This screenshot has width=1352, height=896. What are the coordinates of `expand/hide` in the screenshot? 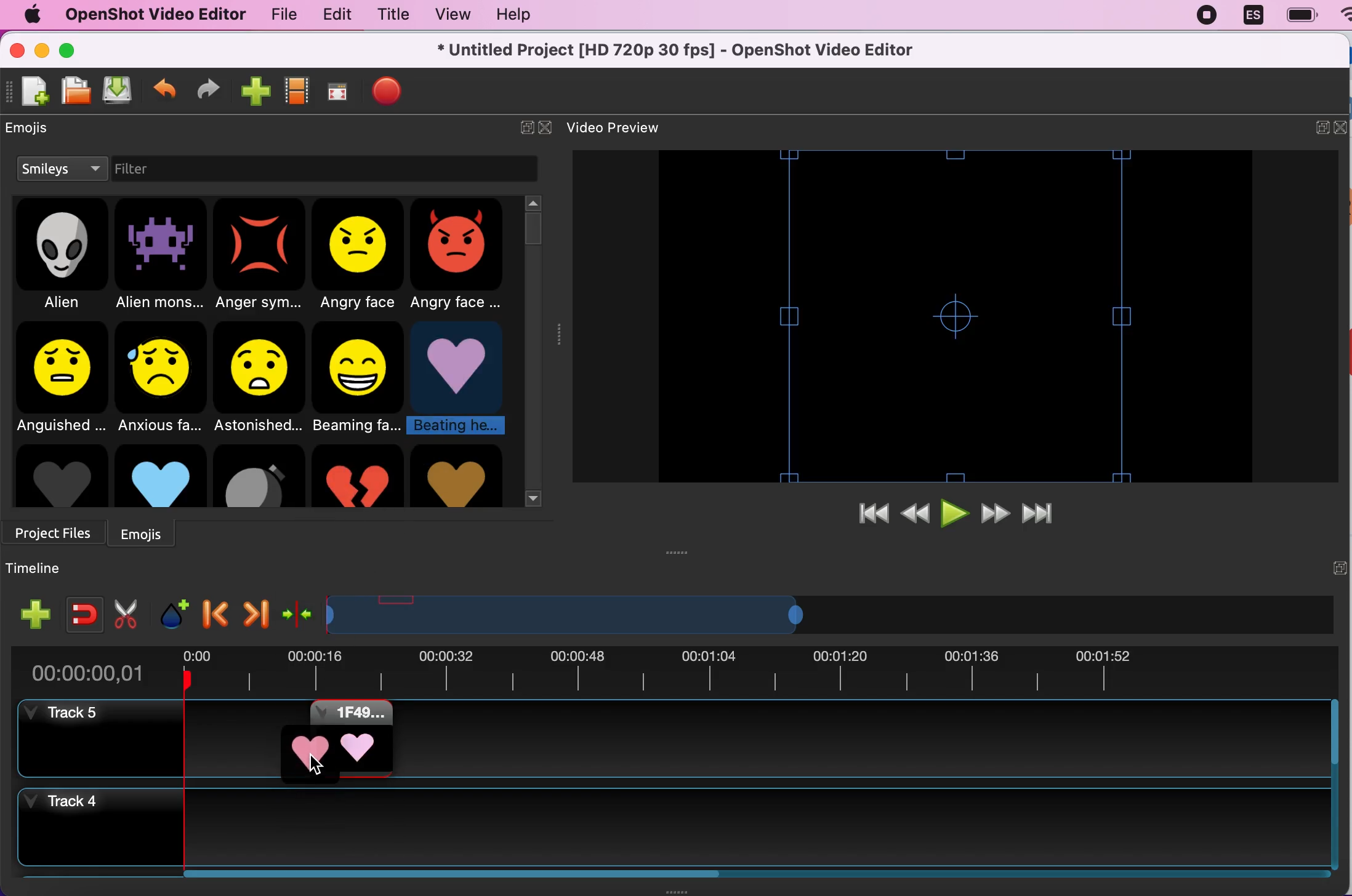 It's located at (519, 126).